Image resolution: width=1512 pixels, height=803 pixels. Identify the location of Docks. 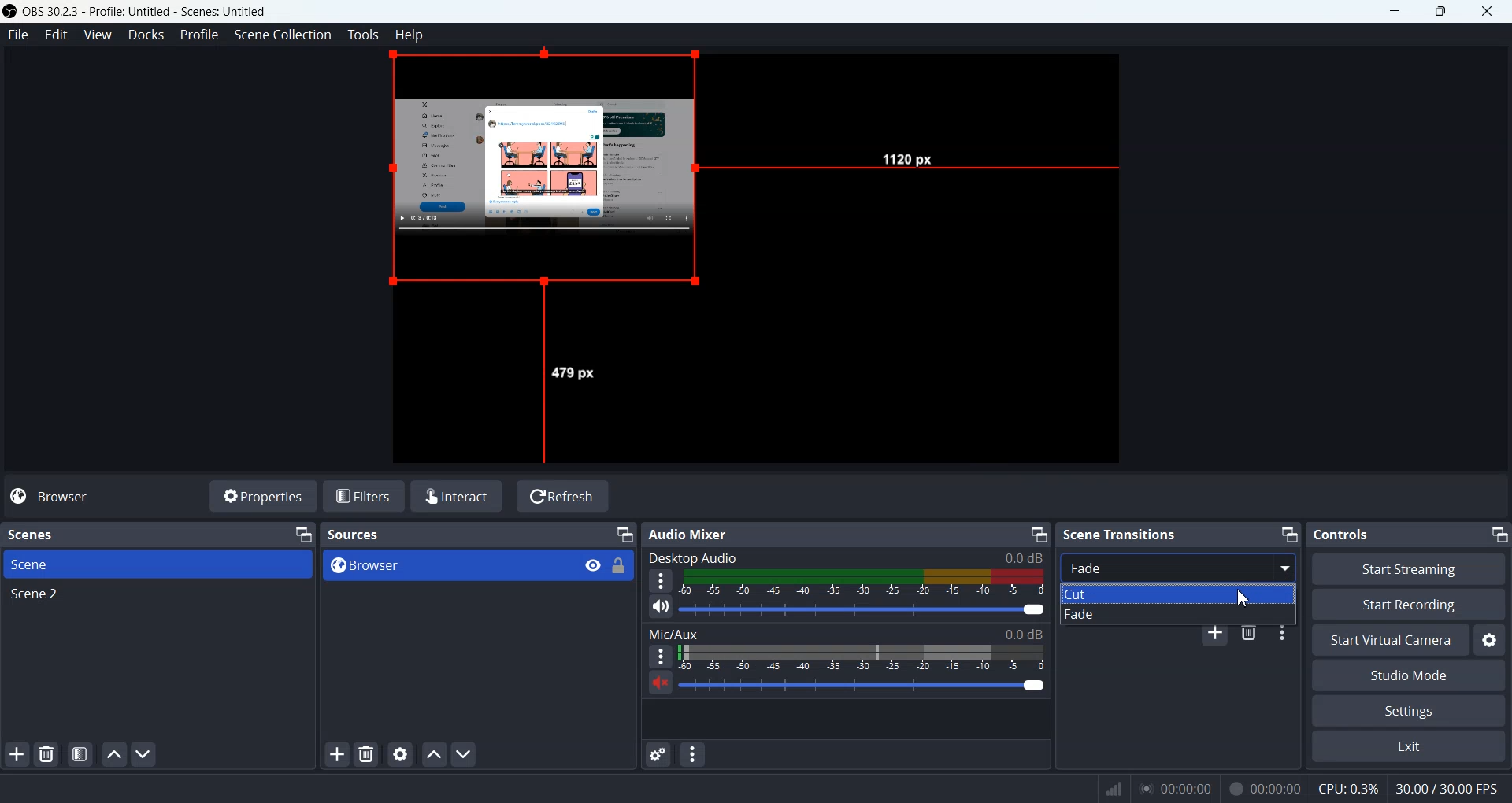
(146, 35).